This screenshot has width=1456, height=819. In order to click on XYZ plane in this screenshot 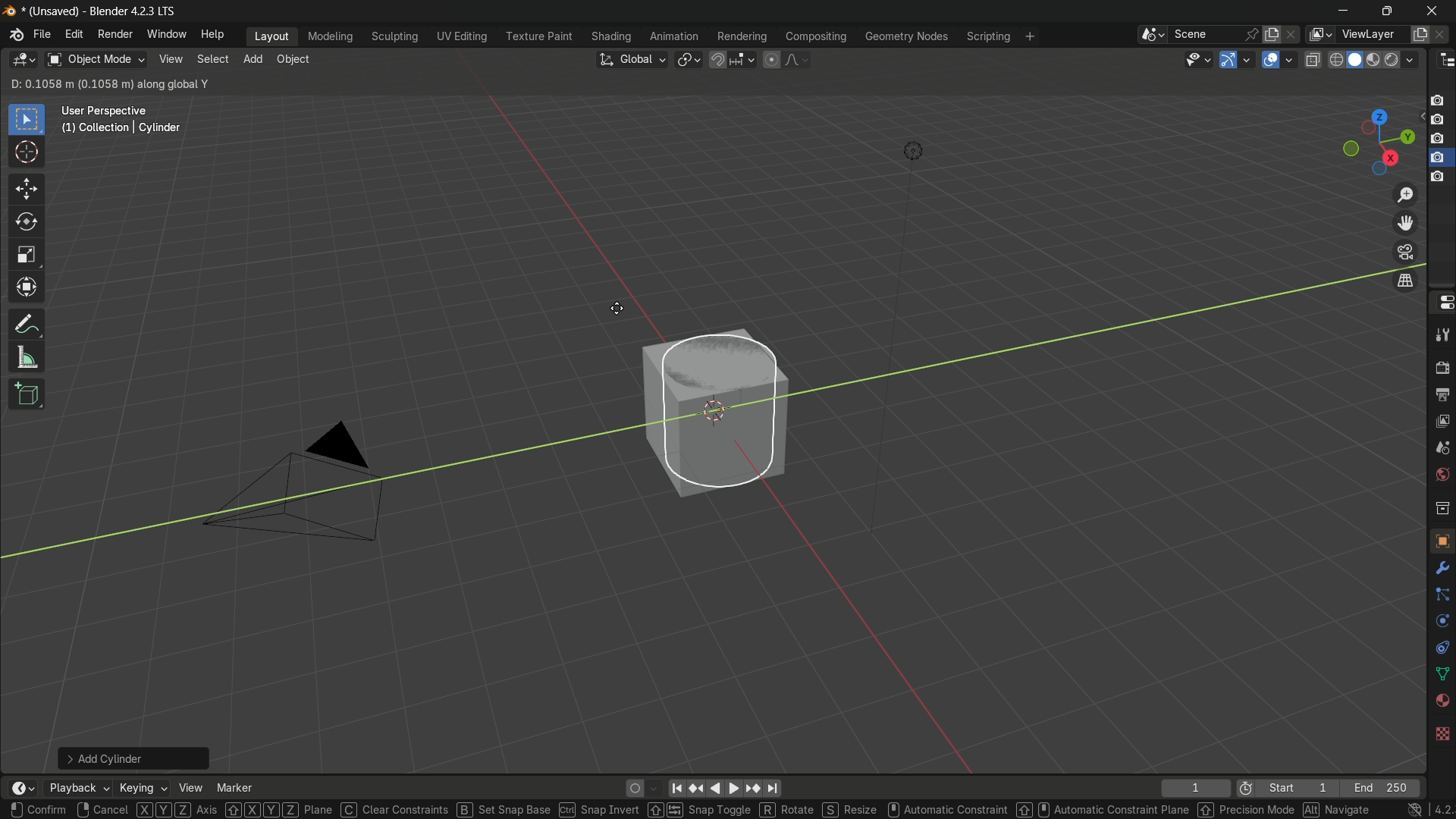, I will do `click(278, 808)`.